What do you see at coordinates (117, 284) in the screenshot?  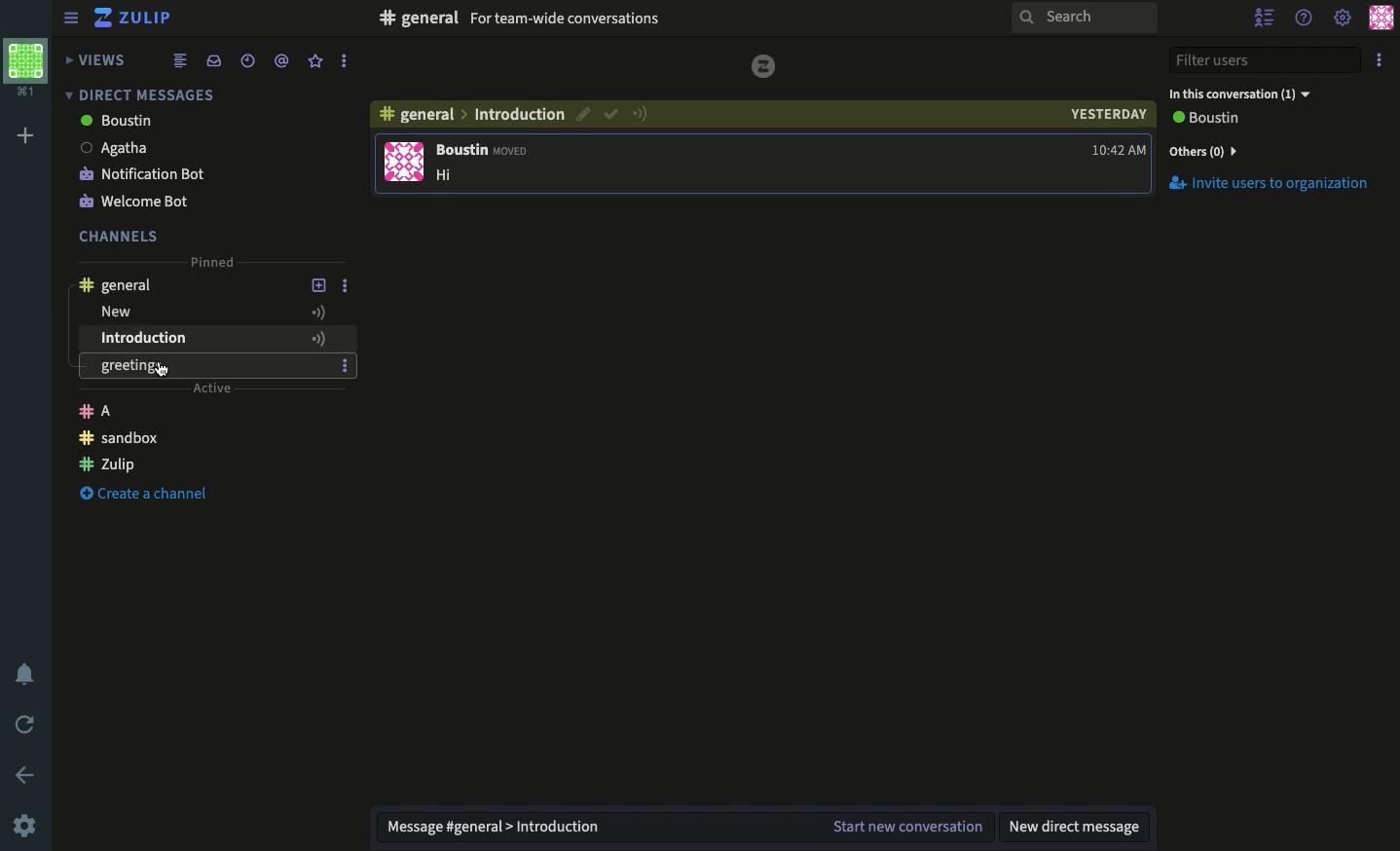 I see `General` at bounding box center [117, 284].